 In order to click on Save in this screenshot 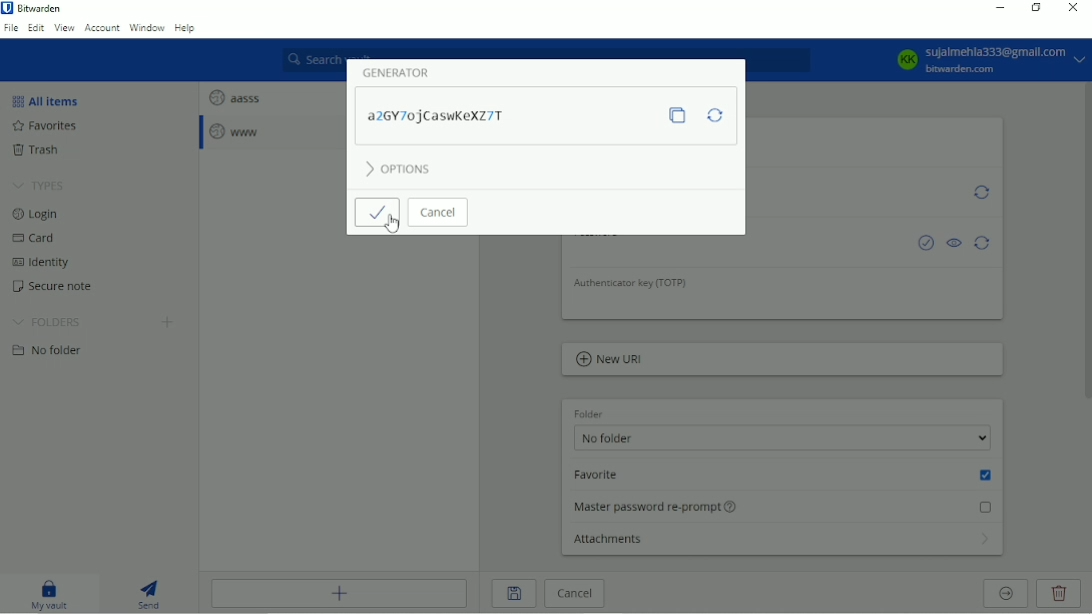, I will do `click(377, 210)`.